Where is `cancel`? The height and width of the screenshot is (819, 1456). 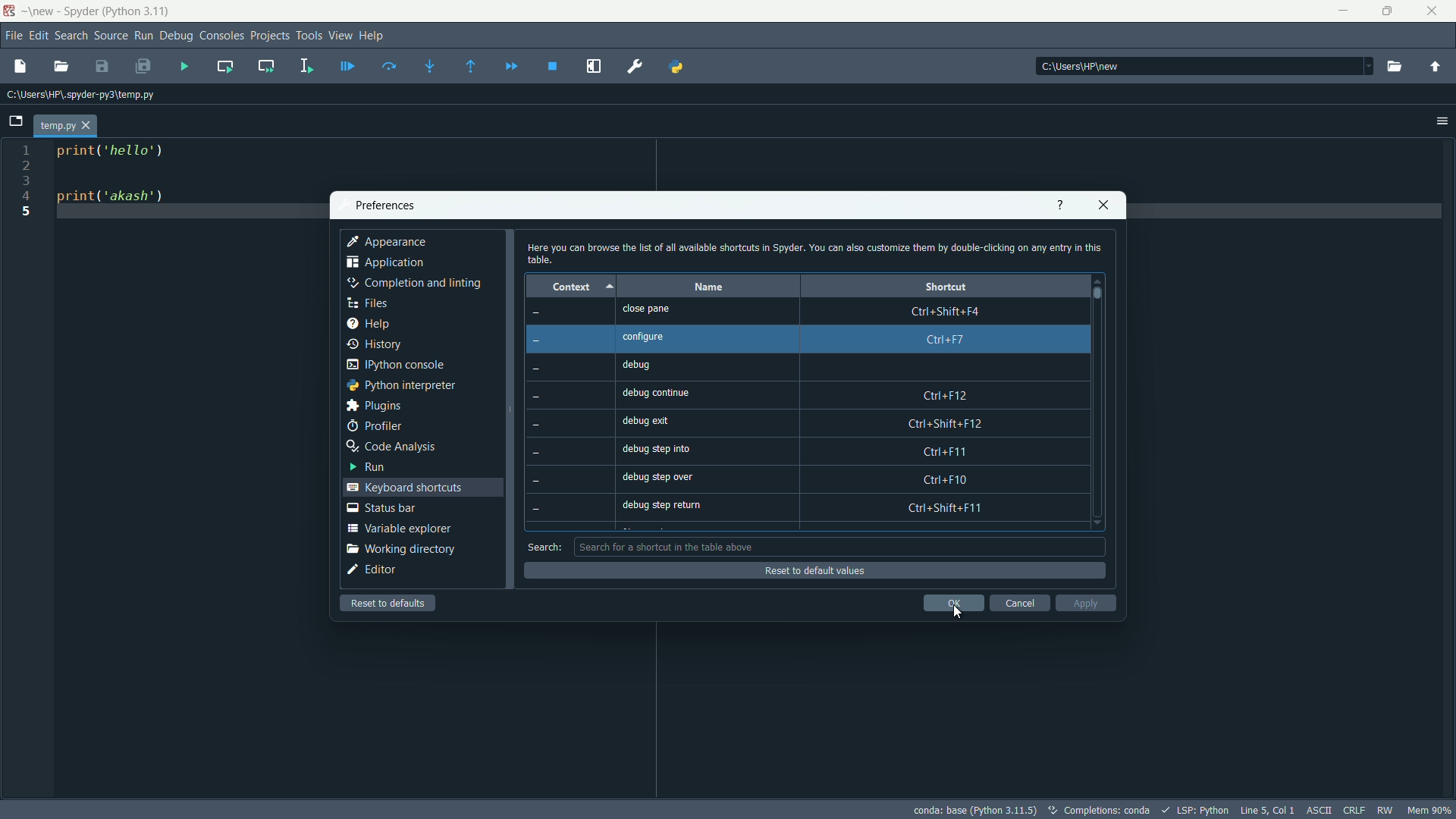
cancel is located at coordinates (1019, 603).